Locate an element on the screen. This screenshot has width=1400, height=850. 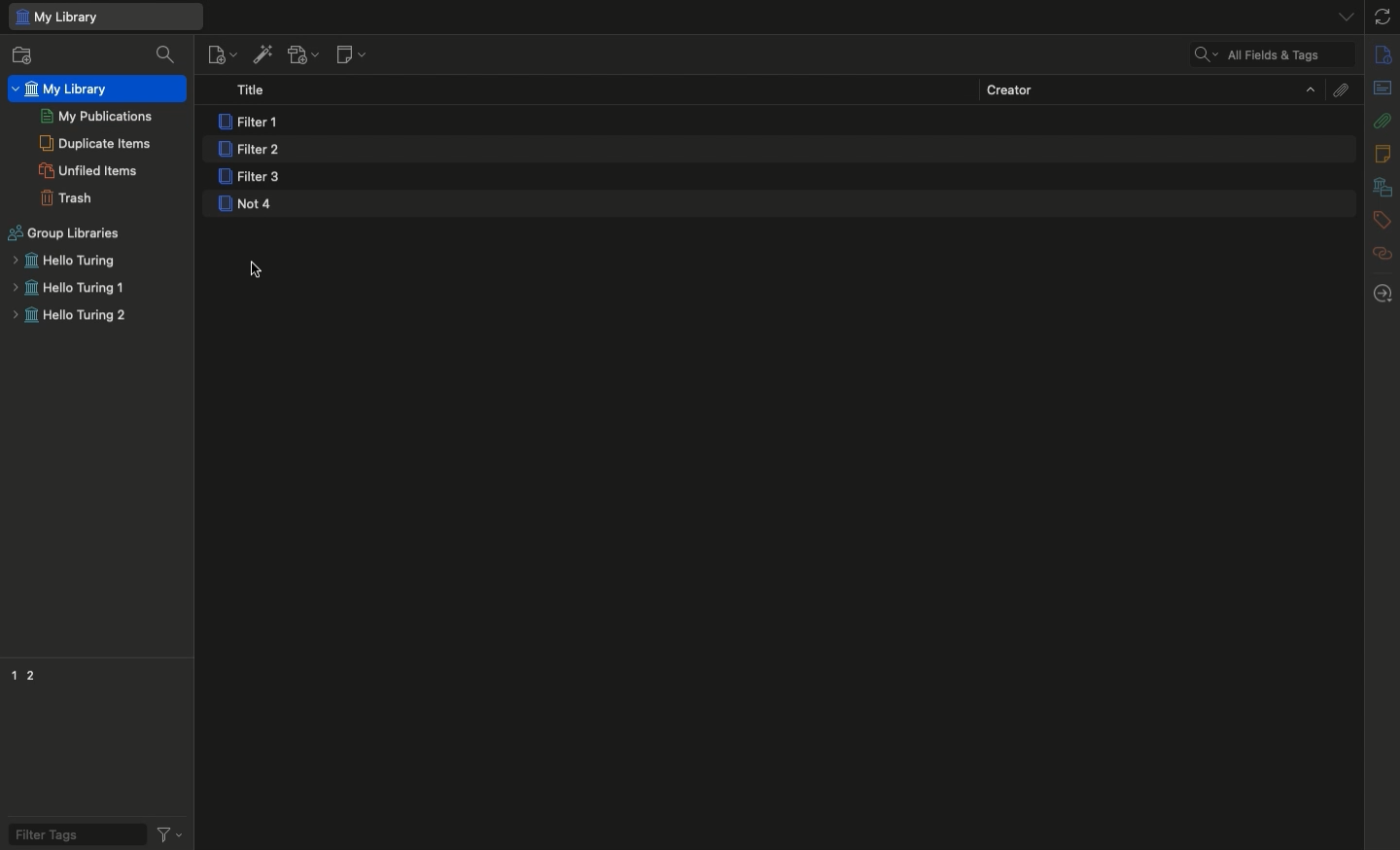
Filter collections is located at coordinates (168, 54).